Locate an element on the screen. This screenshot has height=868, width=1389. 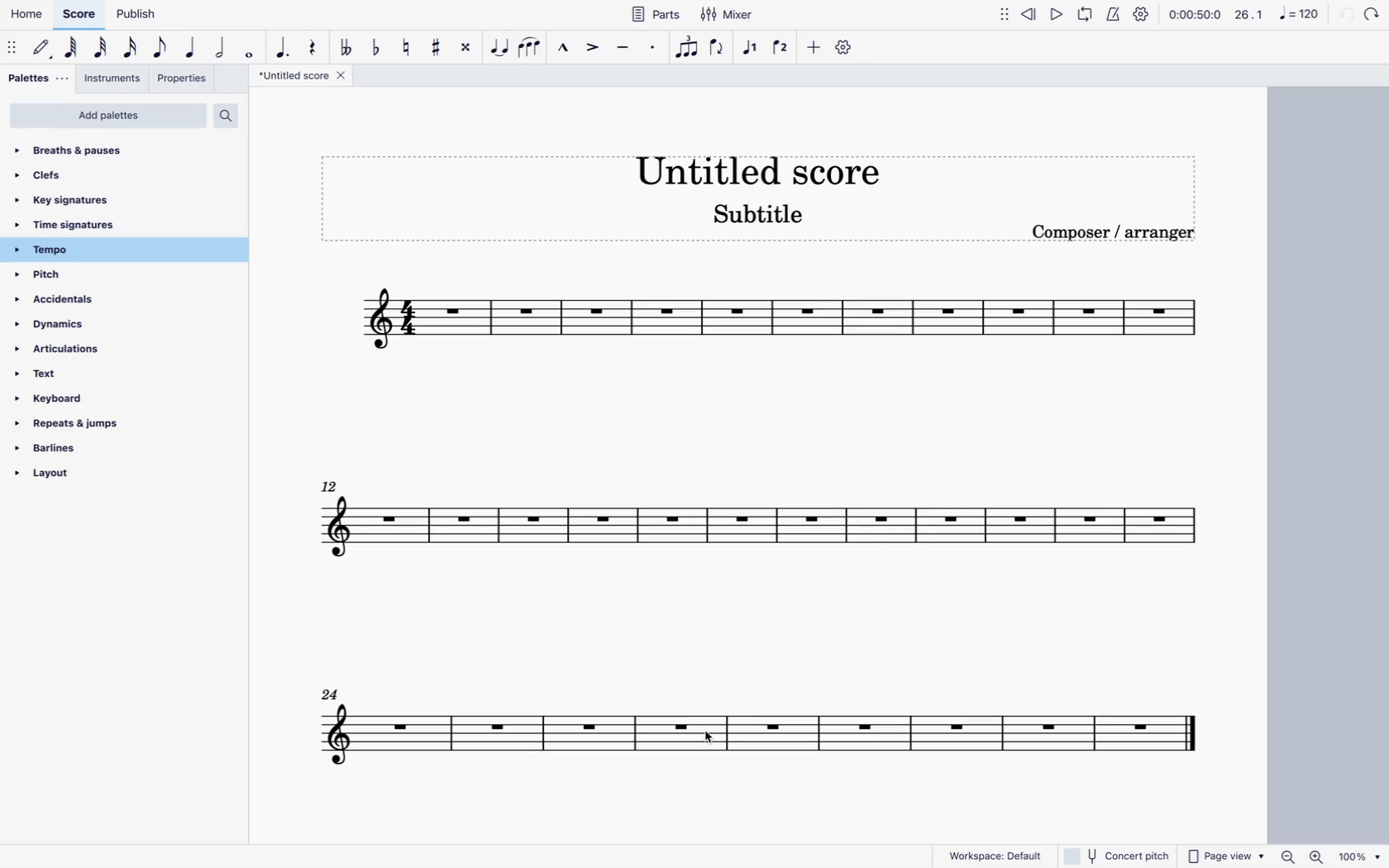
augmentative dot is located at coordinates (284, 48).